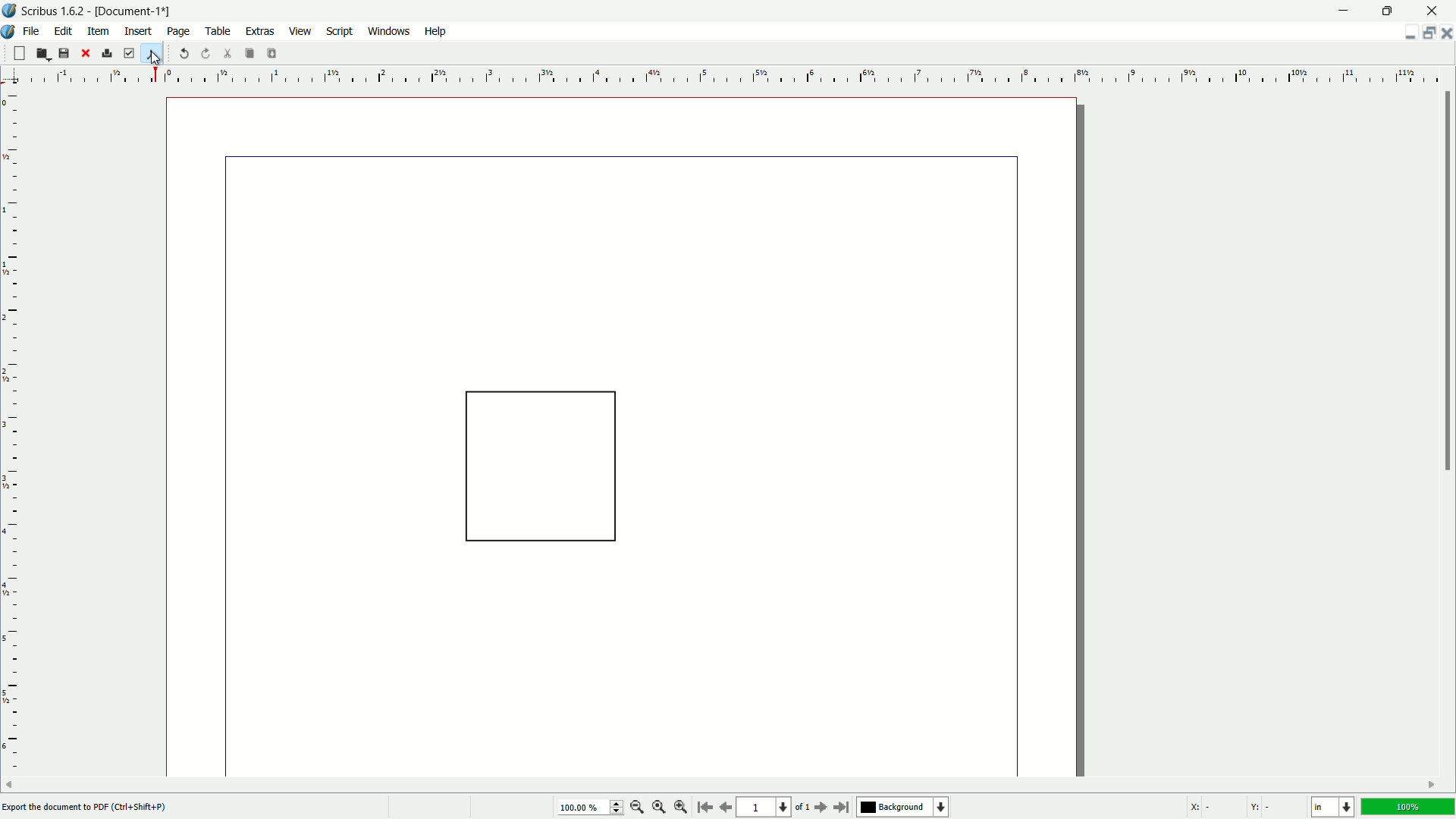 The image size is (1456, 819). What do you see at coordinates (681, 809) in the screenshot?
I see `zoom in` at bounding box center [681, 809].